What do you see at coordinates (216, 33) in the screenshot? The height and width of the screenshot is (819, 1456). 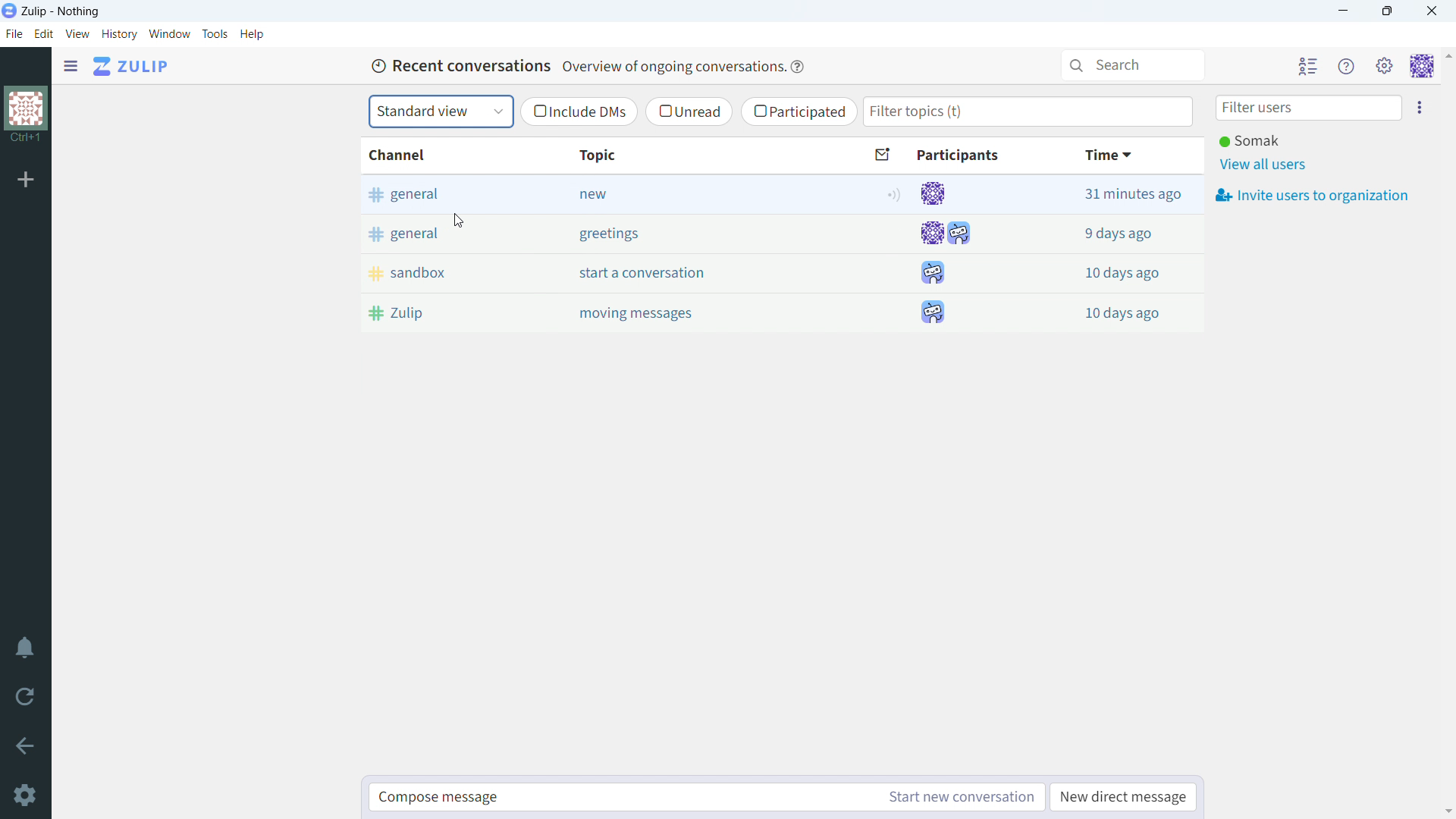 I see `tools` at bounding box center [216, 33].